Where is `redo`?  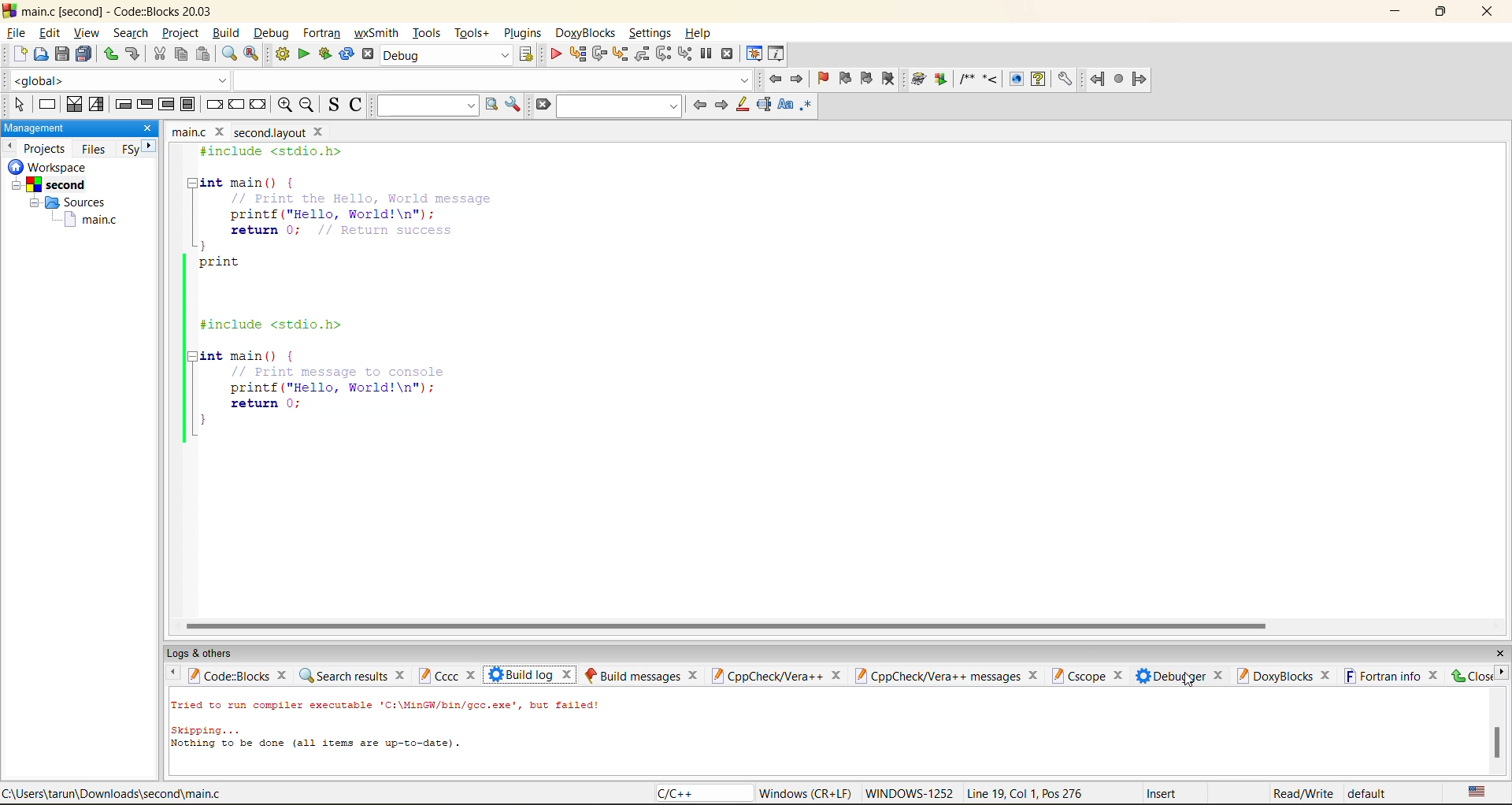 redo is located at coordinates (135, 54).